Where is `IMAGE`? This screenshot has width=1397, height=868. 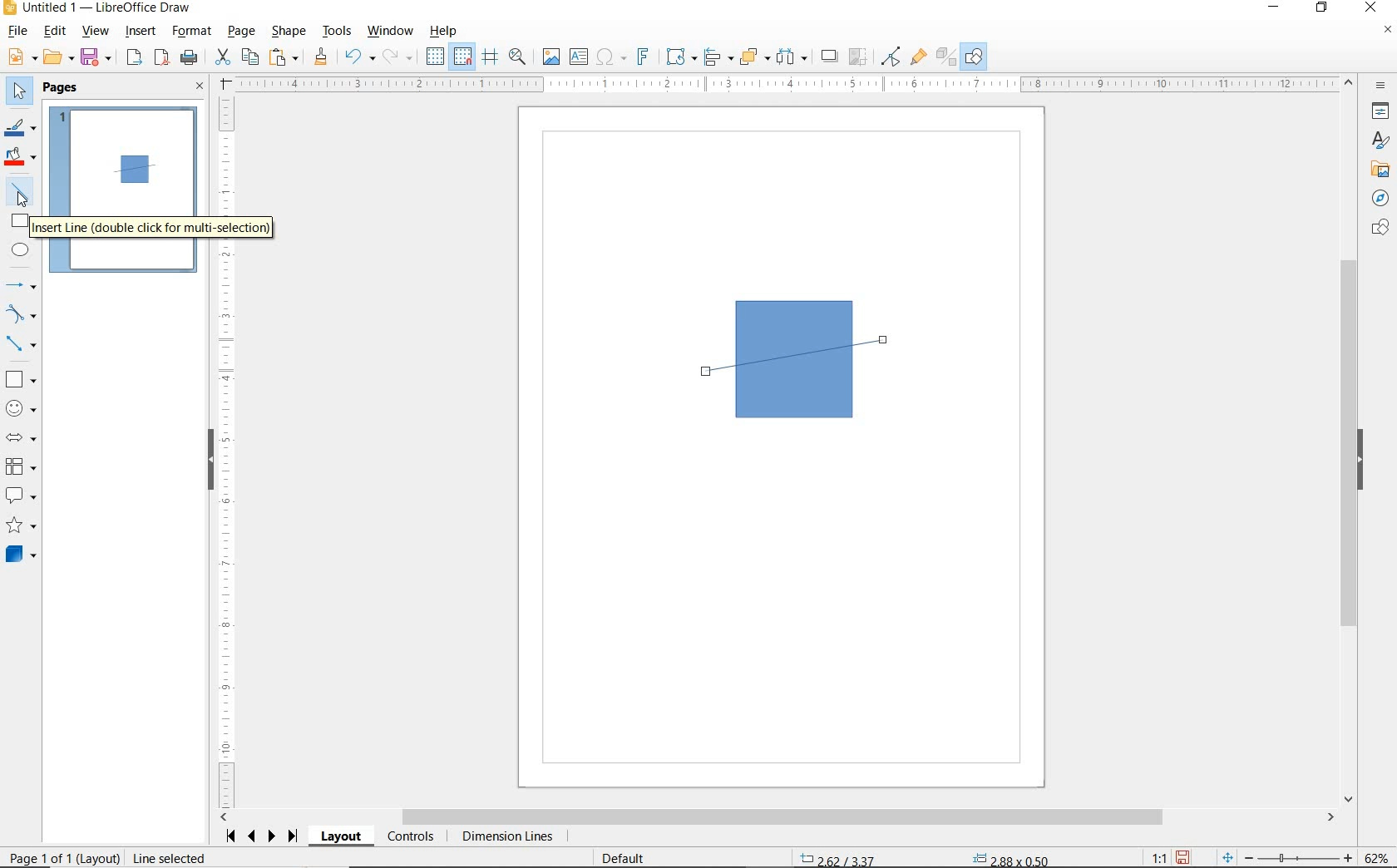 IMAGE is located at coordinates (550, 56).